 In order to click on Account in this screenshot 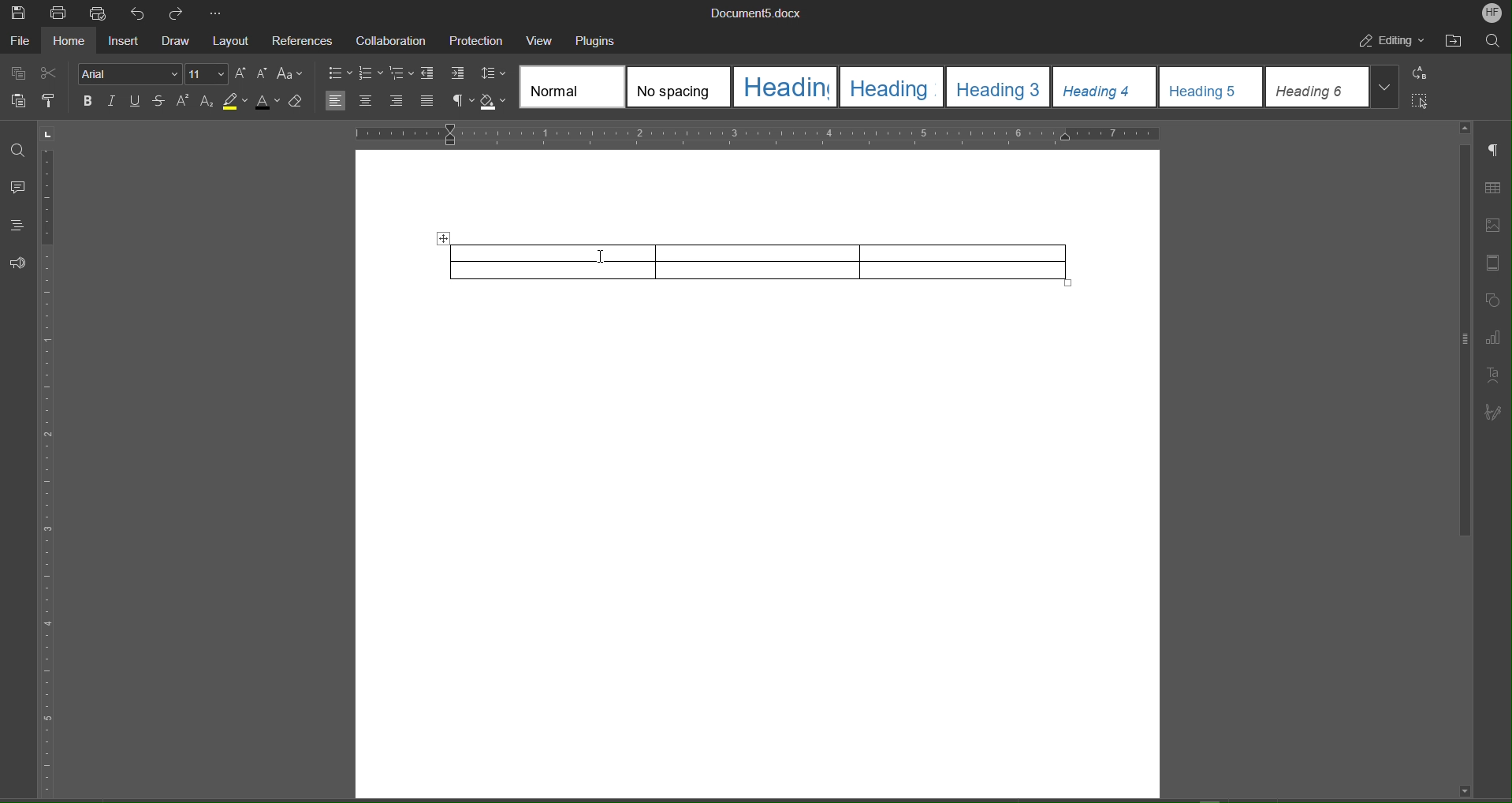, I will do `click(1490, 13)`.